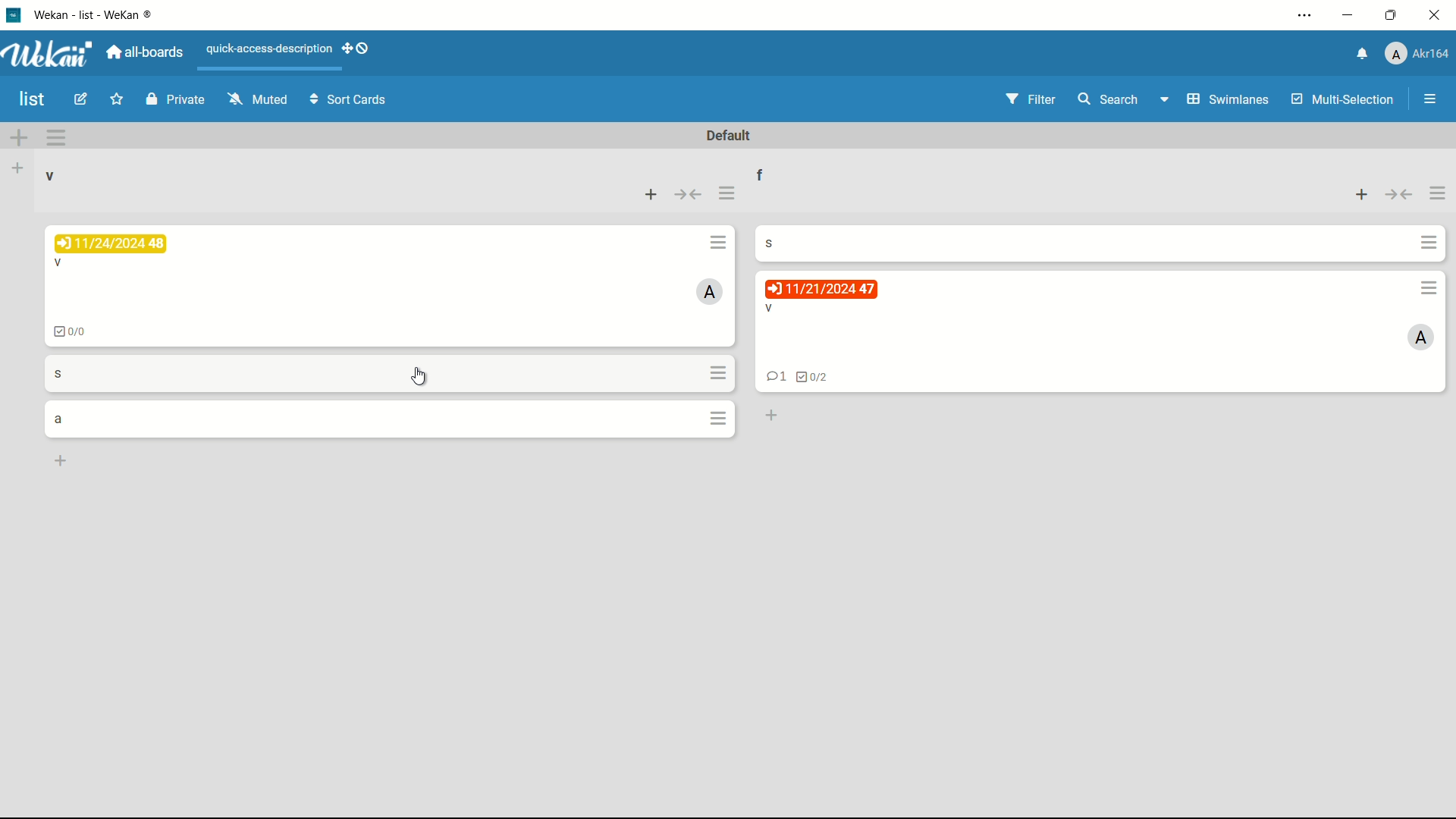 Image resolution: width=1456 pixels, height=819 pixels. What do you see at coordinates (1437, 194) in the screenshot?
I see `list actions` at bounding box center [1437, 194].